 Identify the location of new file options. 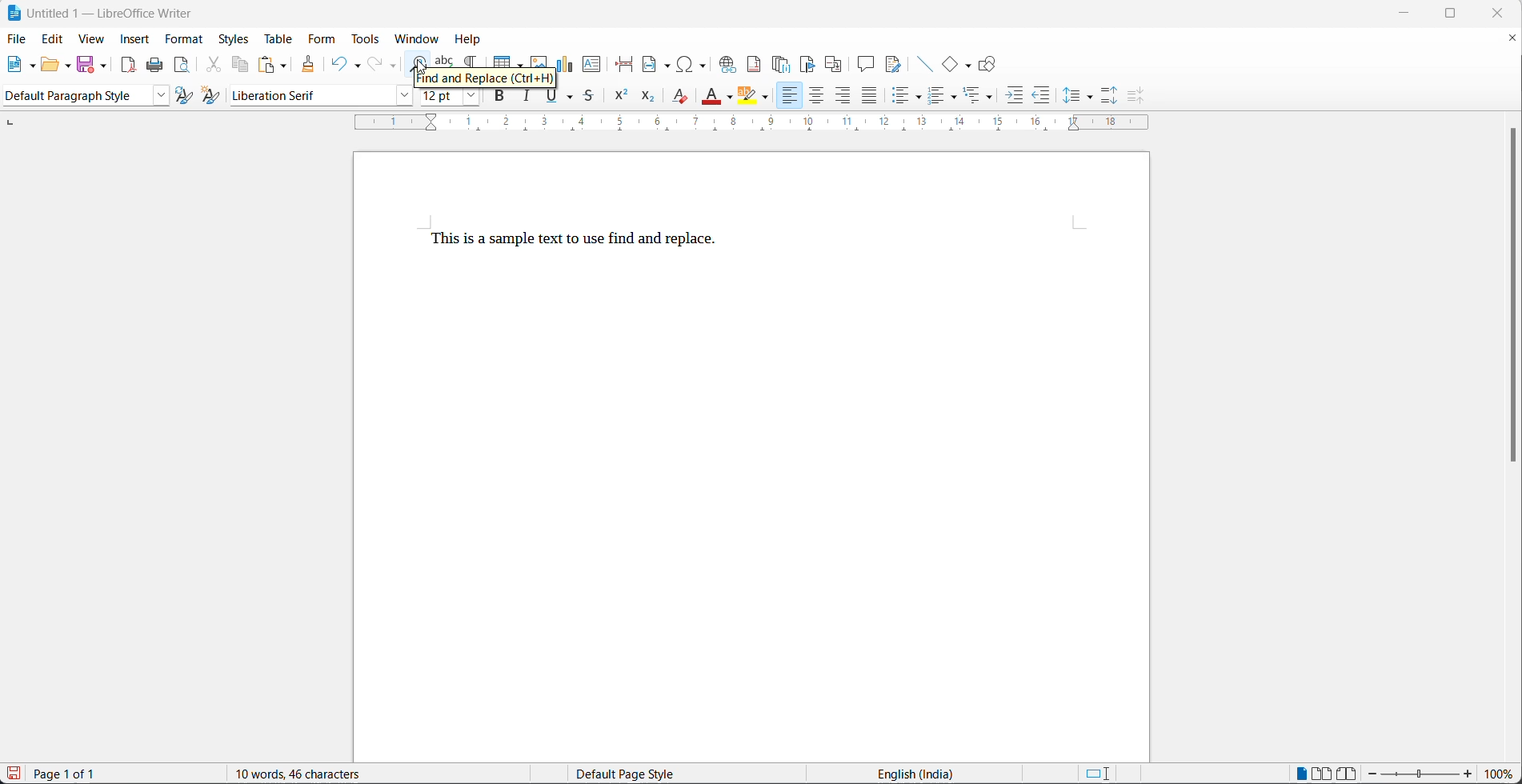
(34, 66).